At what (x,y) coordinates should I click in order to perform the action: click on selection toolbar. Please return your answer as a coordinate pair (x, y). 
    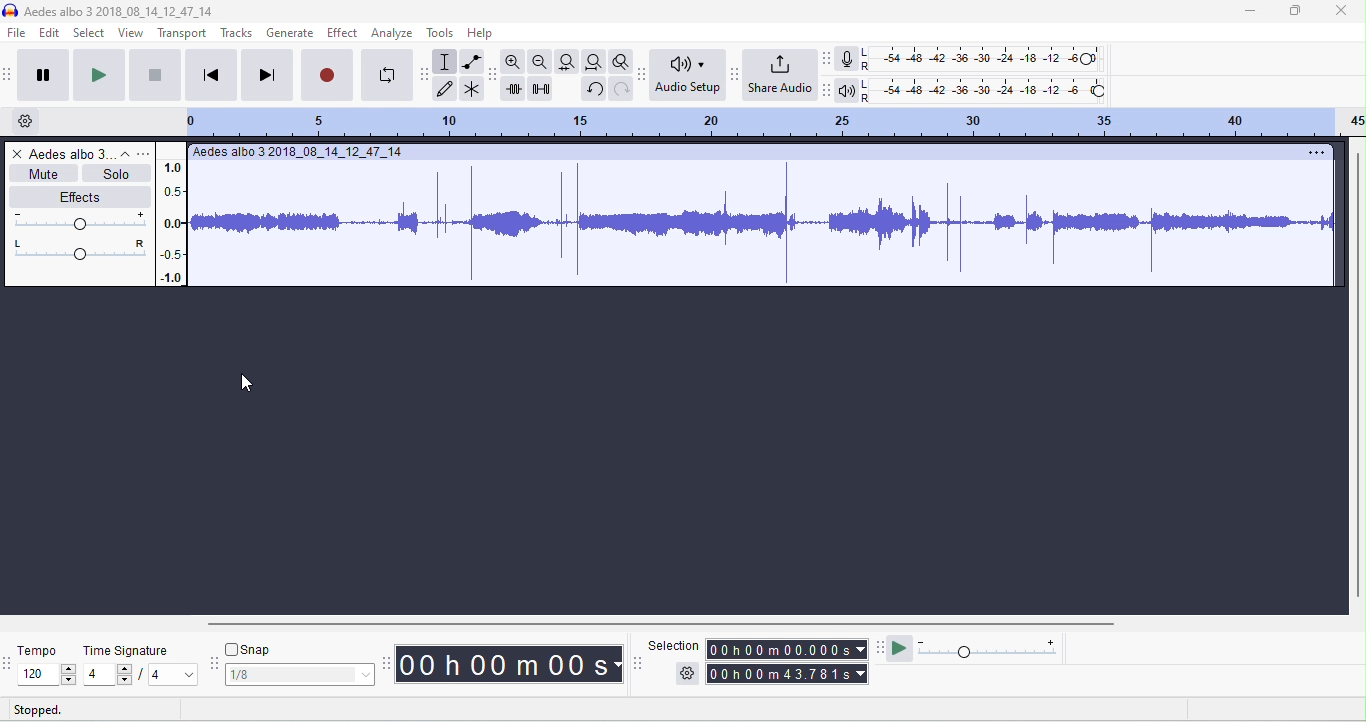
    Looking at the image, I should click on (640, 665).